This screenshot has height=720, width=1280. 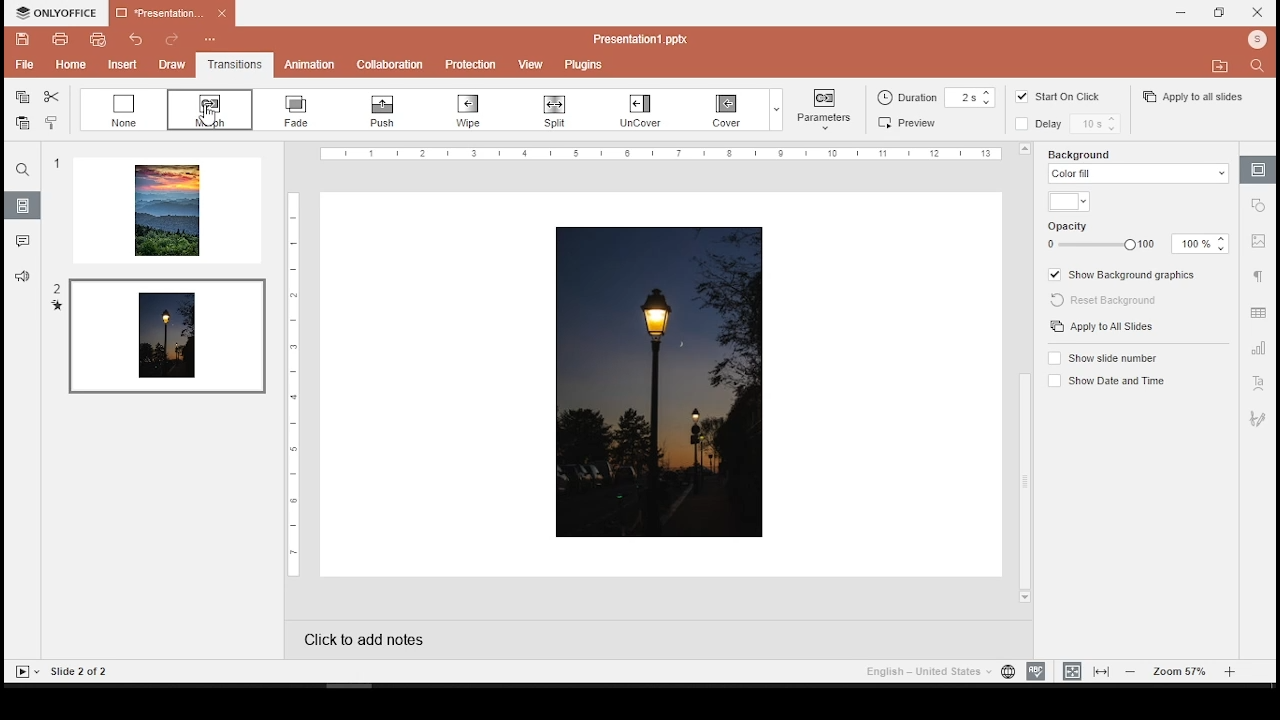 I want to click on scroll bar, so click(x=1023, y=375).